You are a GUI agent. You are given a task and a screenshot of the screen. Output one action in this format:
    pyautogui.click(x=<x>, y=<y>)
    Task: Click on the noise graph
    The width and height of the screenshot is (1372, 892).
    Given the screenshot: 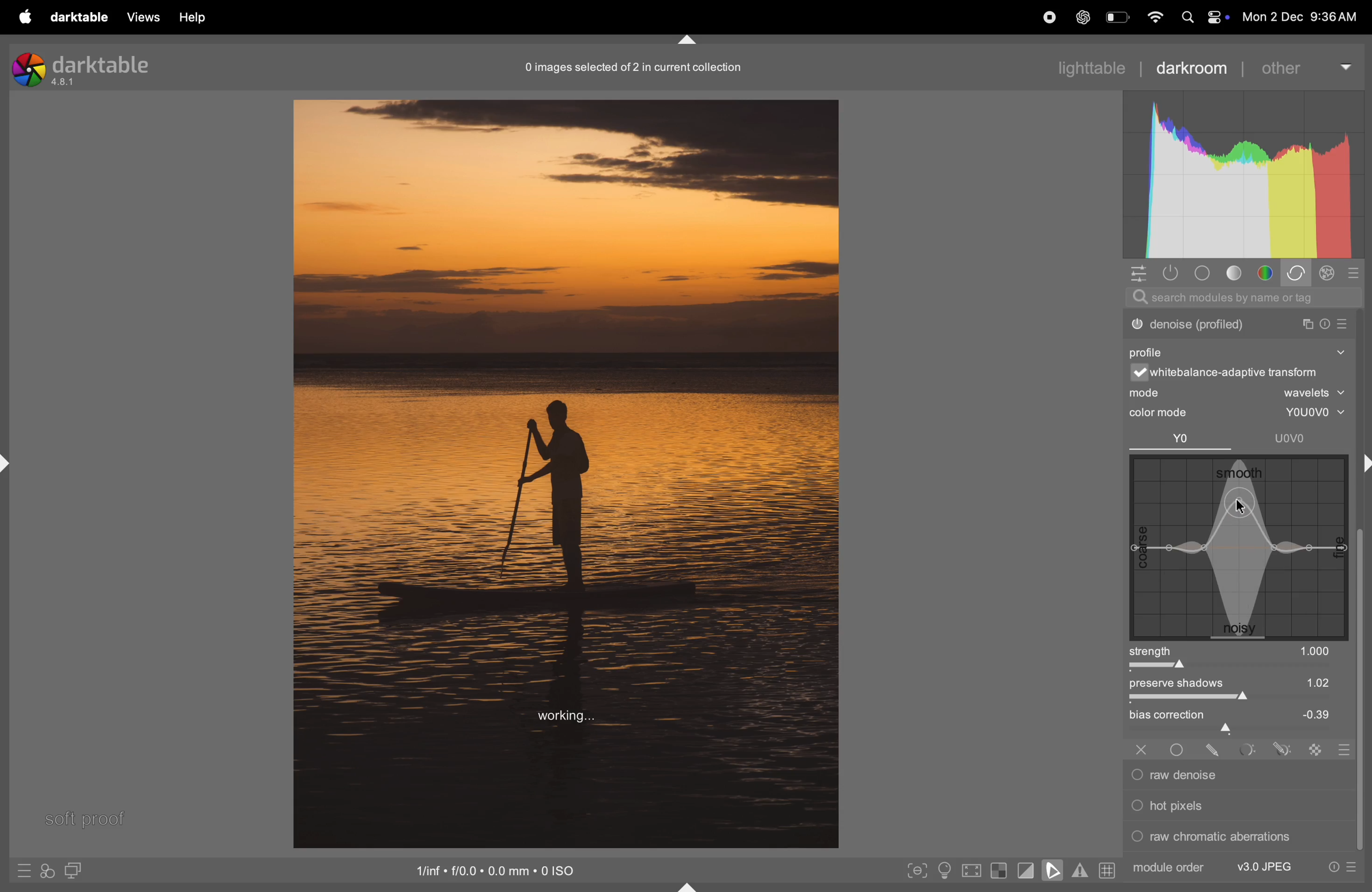 What is the action you would take?
    pyautogui.click(x=1238, y=547)
    